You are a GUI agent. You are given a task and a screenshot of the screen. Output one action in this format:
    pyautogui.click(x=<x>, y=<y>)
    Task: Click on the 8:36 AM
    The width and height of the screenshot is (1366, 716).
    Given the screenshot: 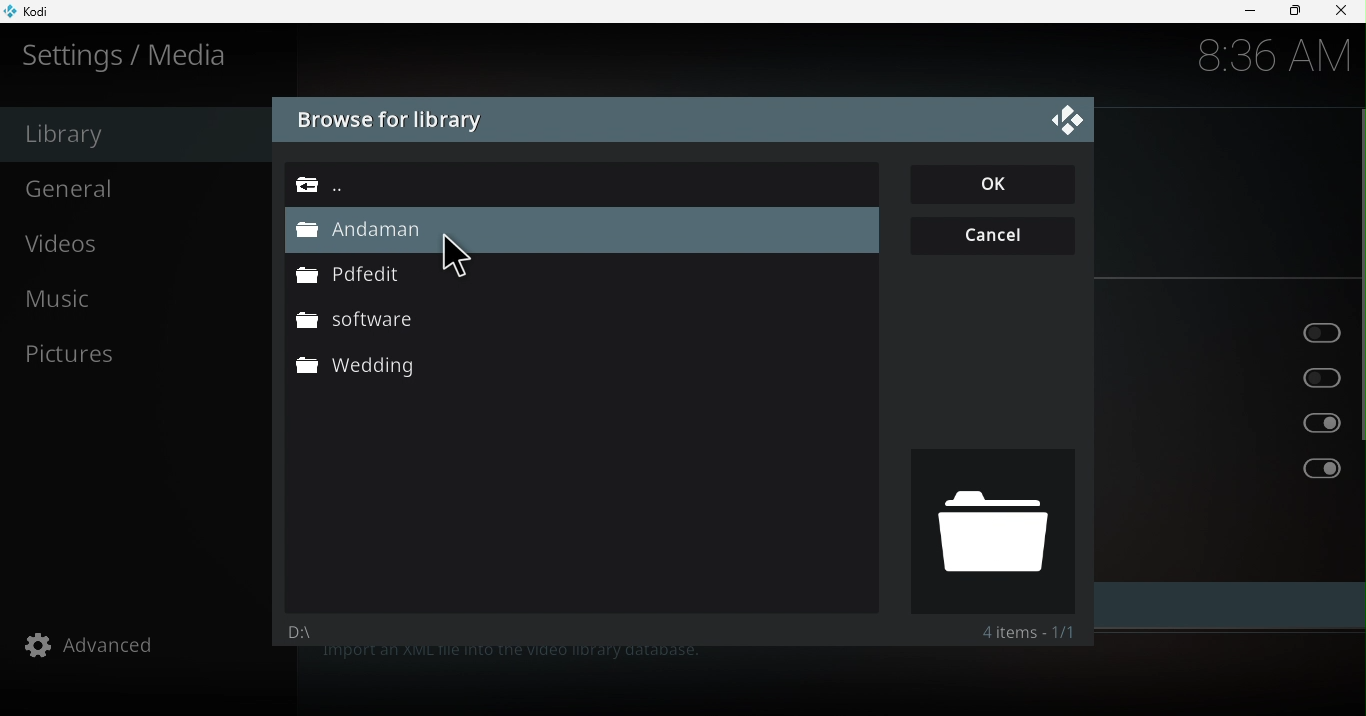 What is the action you would take?
    pyautogui.click(x=1267, y=57)
    